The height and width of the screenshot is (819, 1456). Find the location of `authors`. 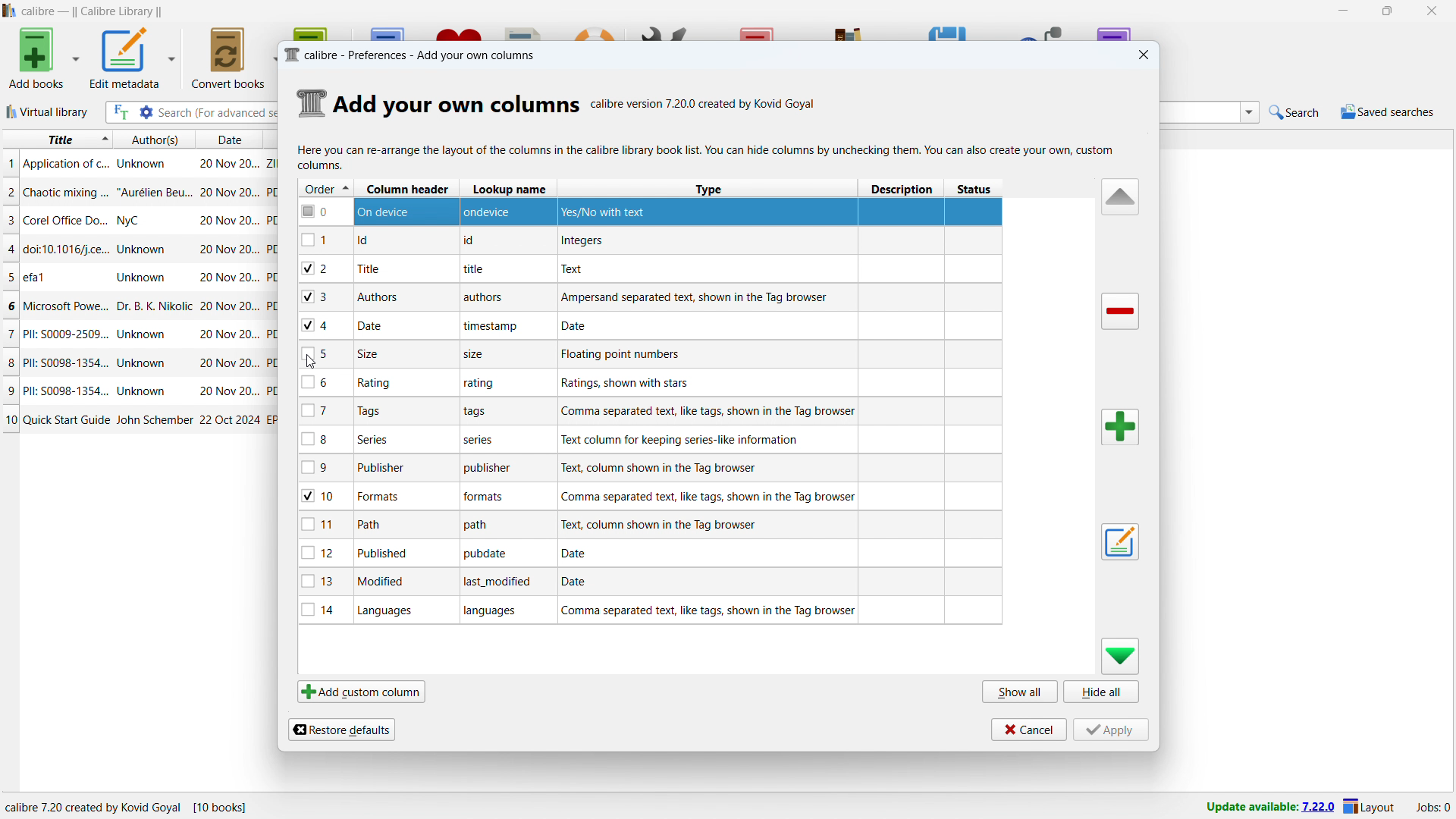

authors is located at coordinates (377, 297).